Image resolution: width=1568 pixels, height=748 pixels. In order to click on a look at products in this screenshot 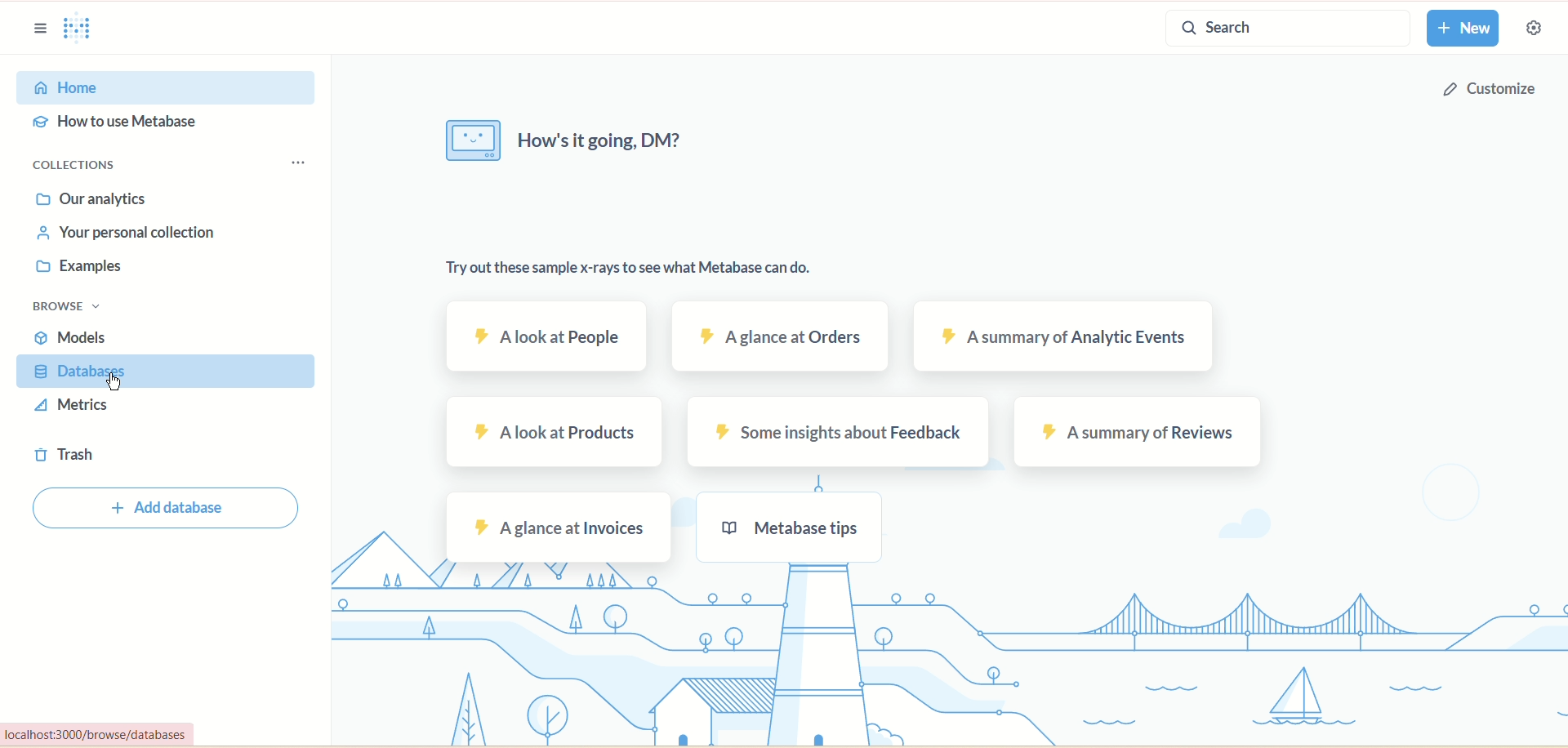, I will do `click(555, 434)`.